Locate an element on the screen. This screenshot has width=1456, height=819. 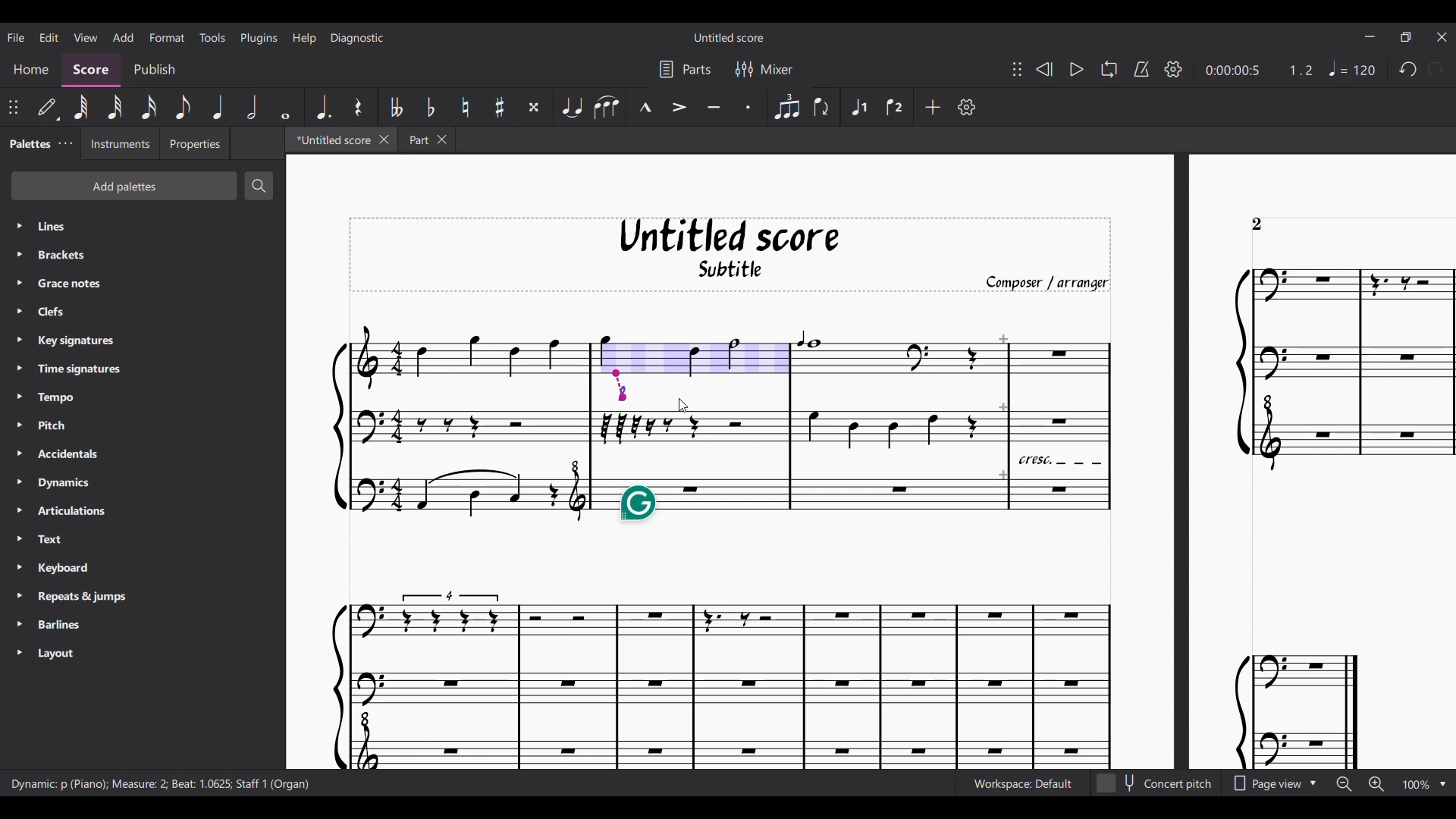
Close/Undock Palette tab is located at coordinates (66, 143).